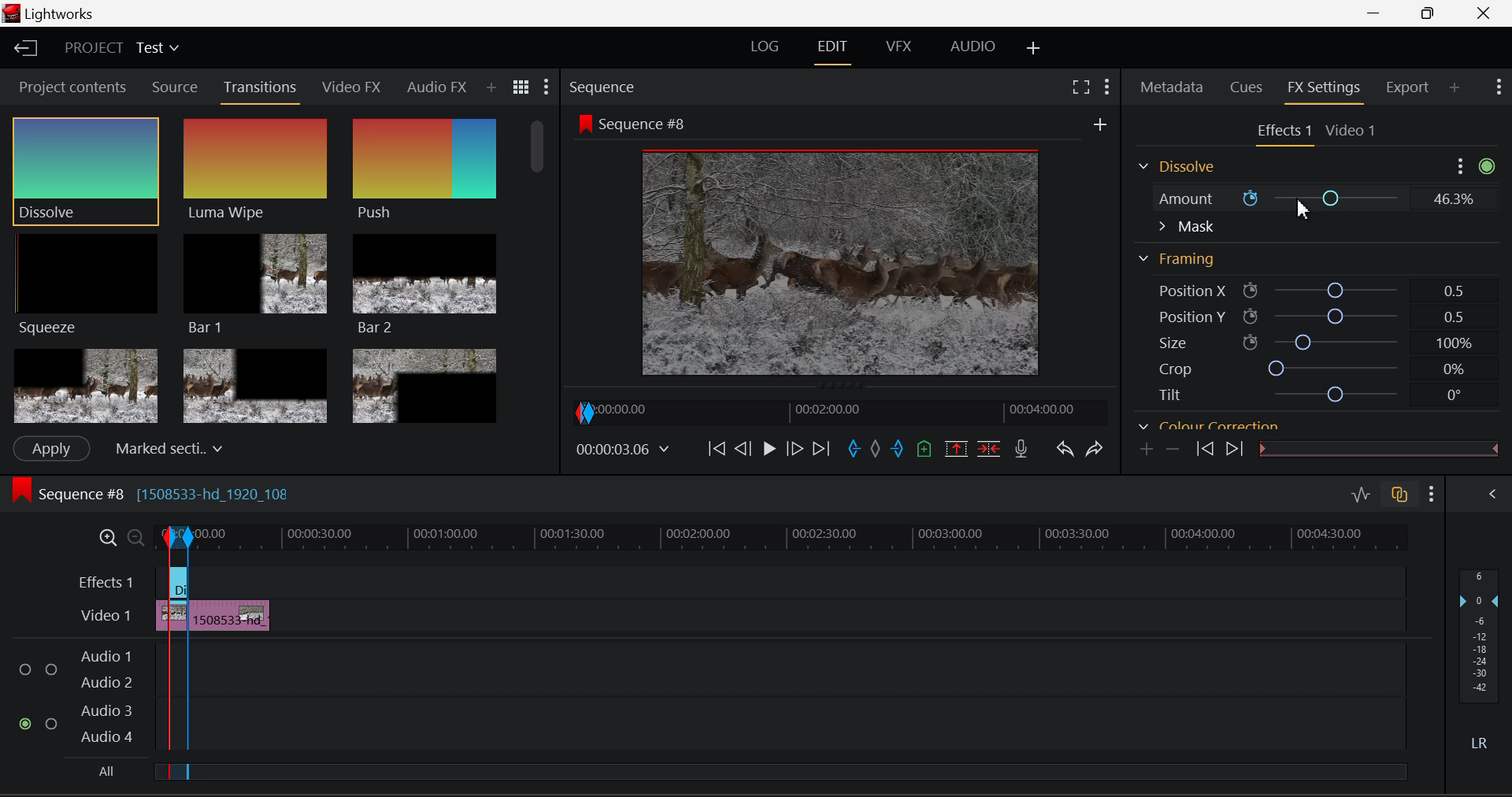 The height and width of the screenshot is (797, 1512). I want to click on Position X, so click(1309, 288).